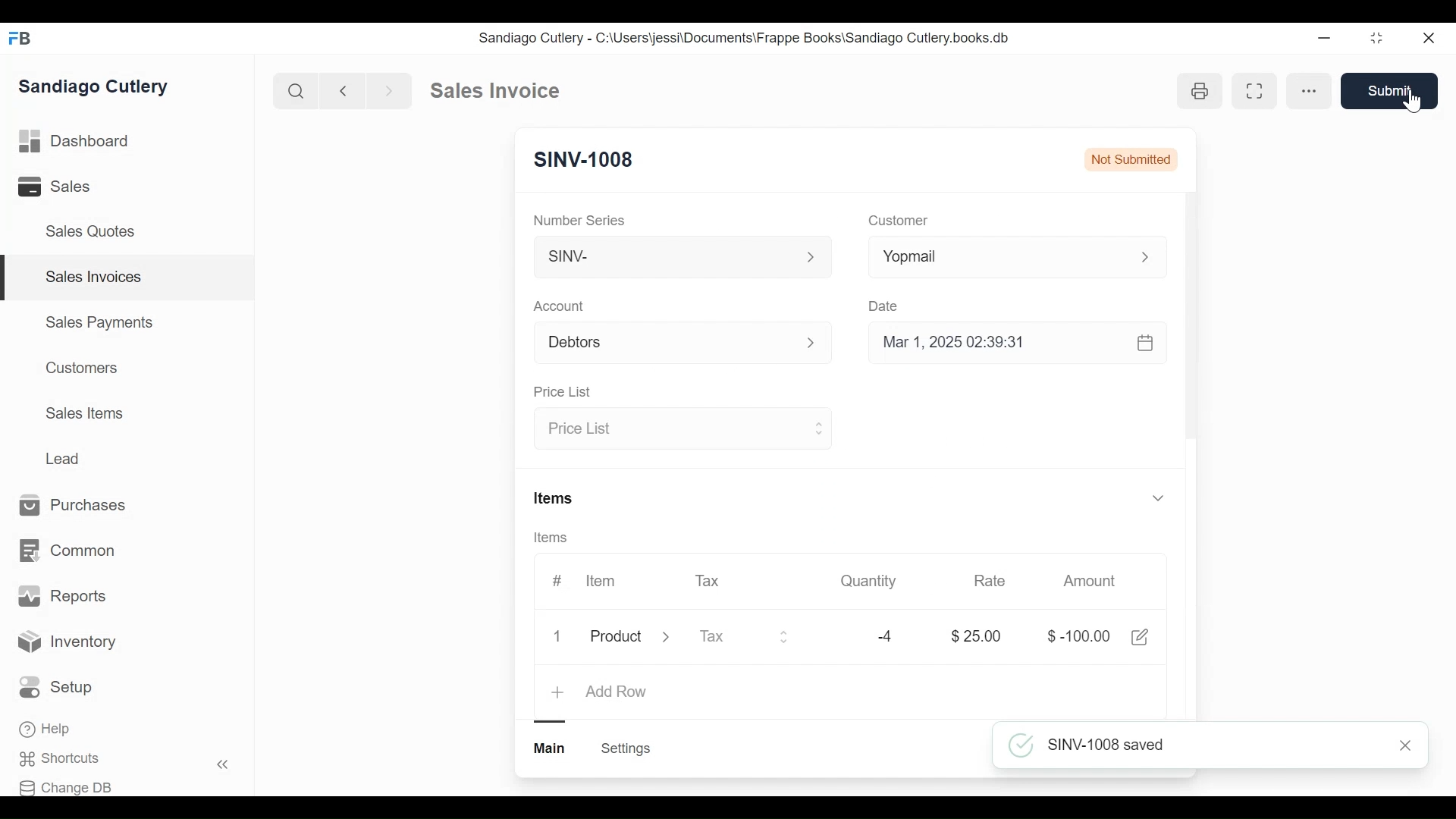  I want to click on Next, so click(391, 90).